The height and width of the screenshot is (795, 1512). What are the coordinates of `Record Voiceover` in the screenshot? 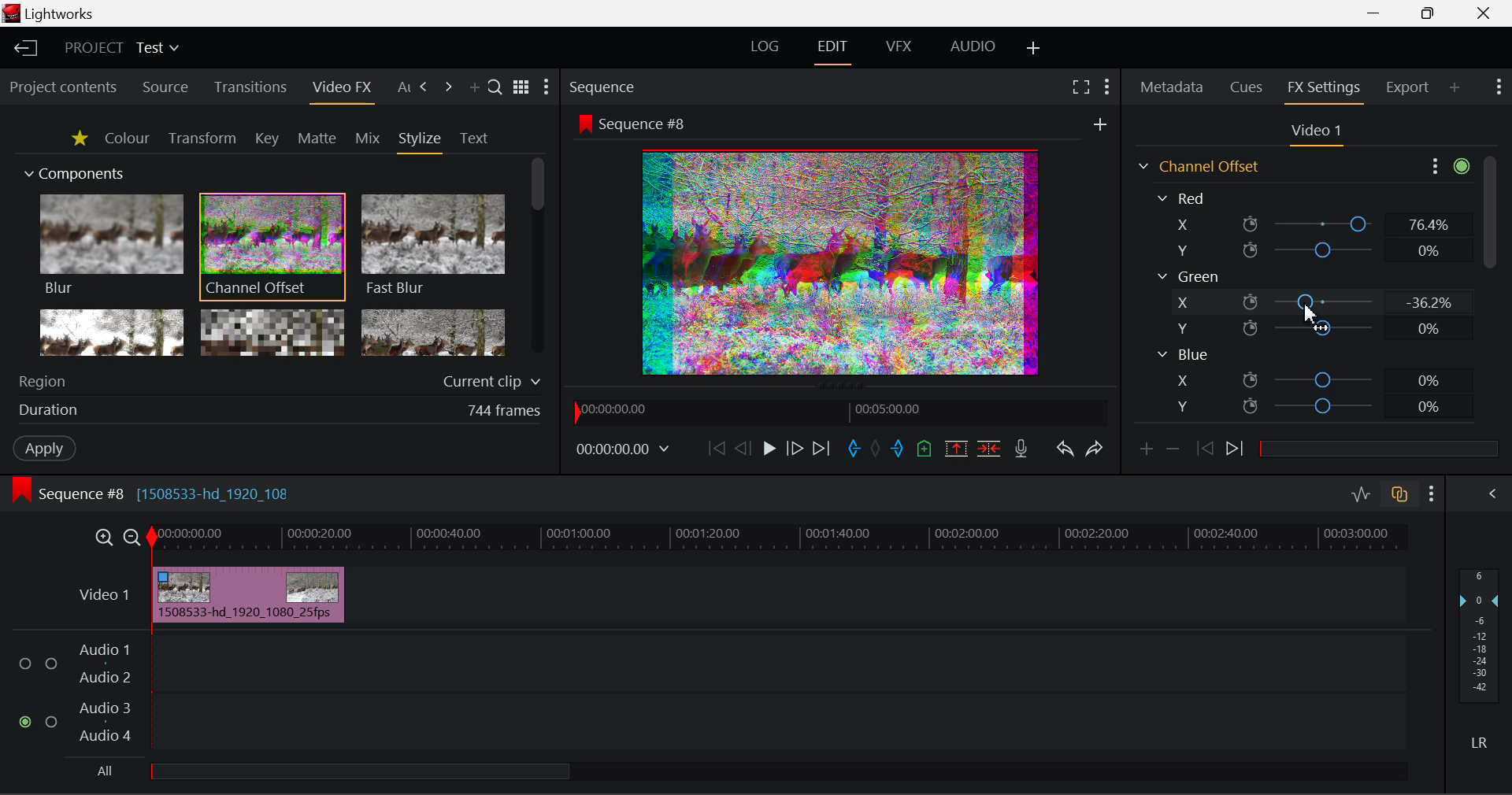 It's located at (1021, 450).